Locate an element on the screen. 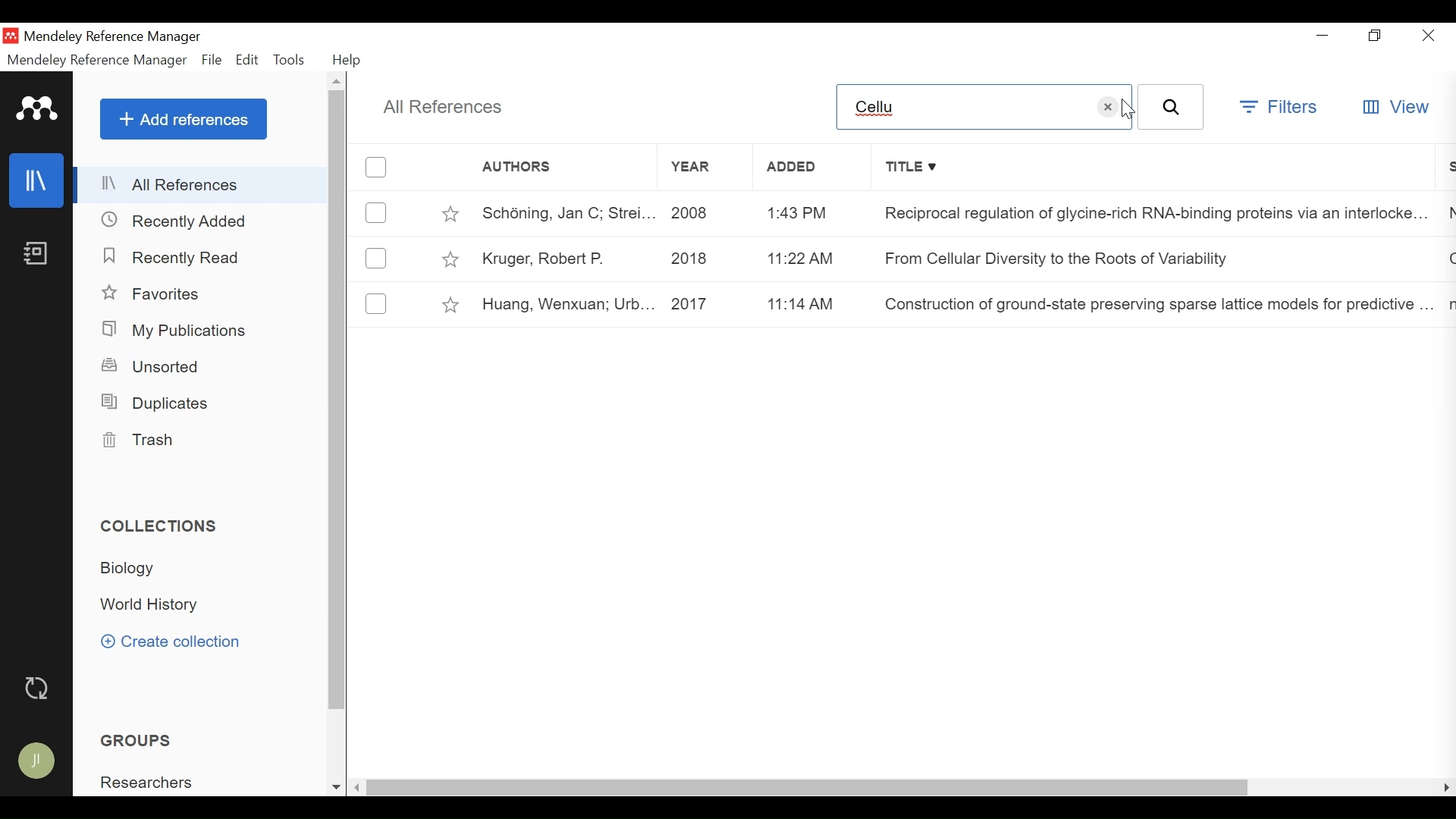 This screenshot has height=819, width=1456. Notebook is located at coordinates (37, 253).